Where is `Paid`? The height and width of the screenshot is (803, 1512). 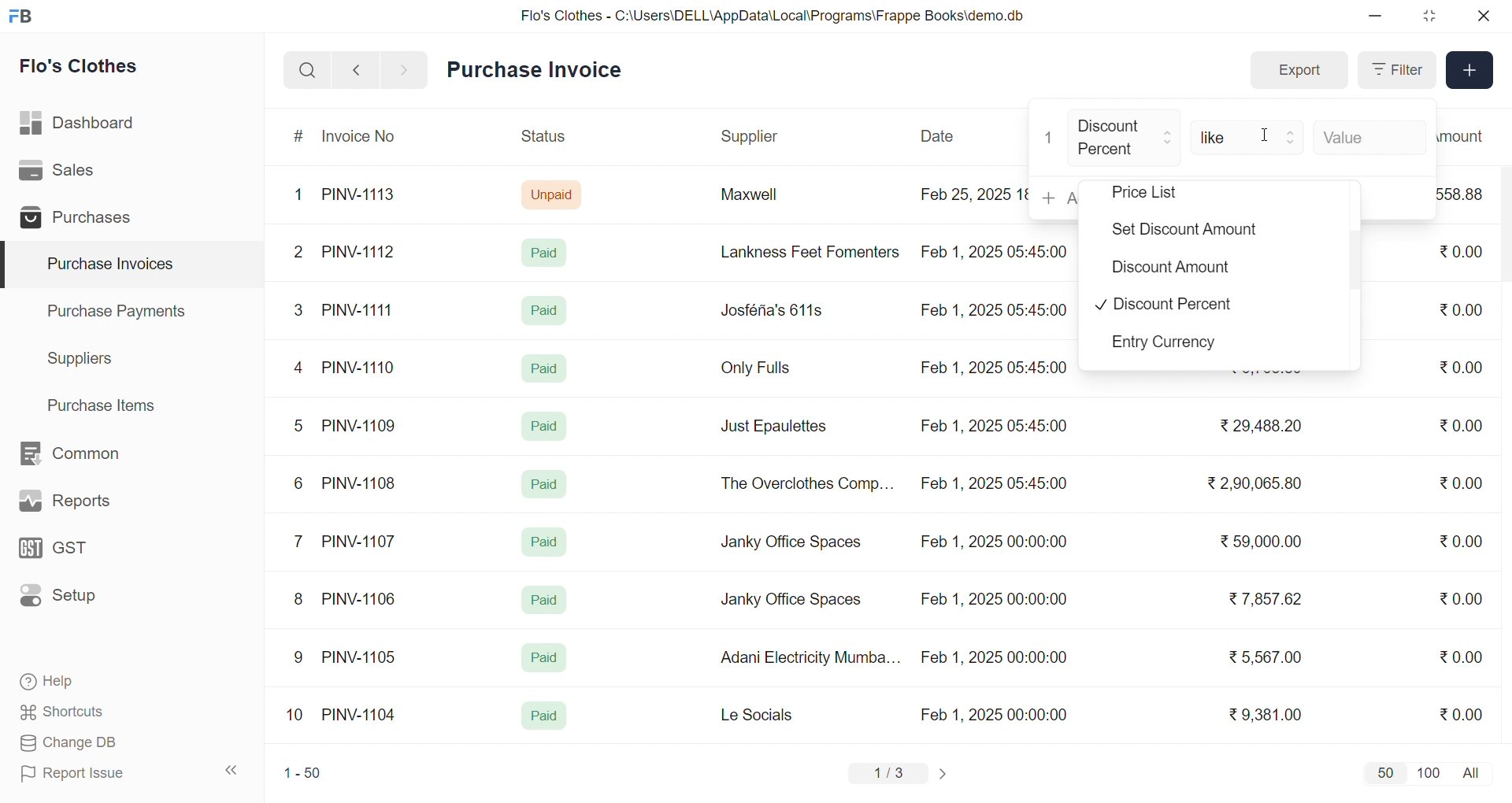
Paid is located at coordinates (545, 600).